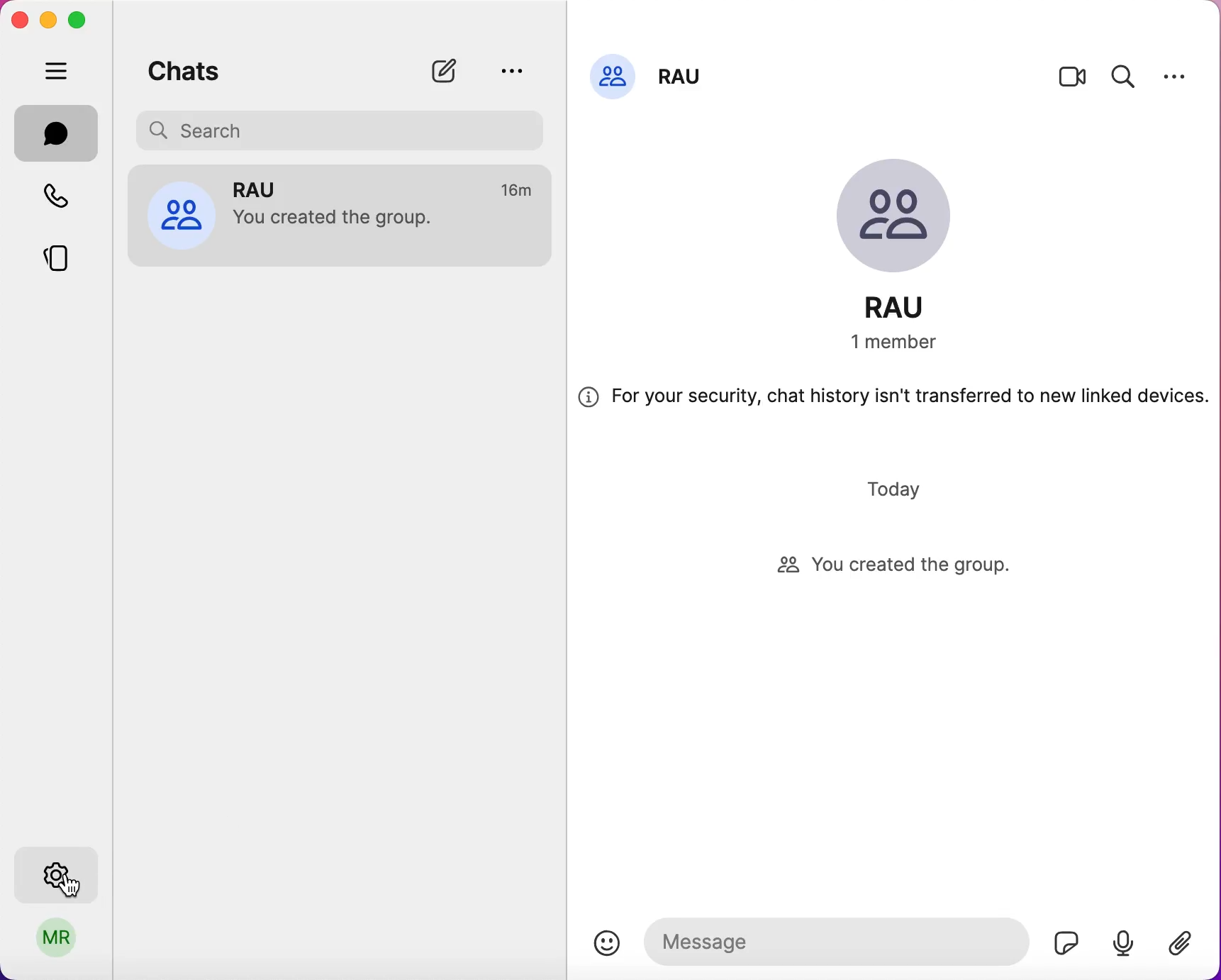 The width and height of the screenshot is (1221, 980). What do you see at coordinates (65, 199) in the screenshot?
I see `calls` at bounding box center [65, 199].